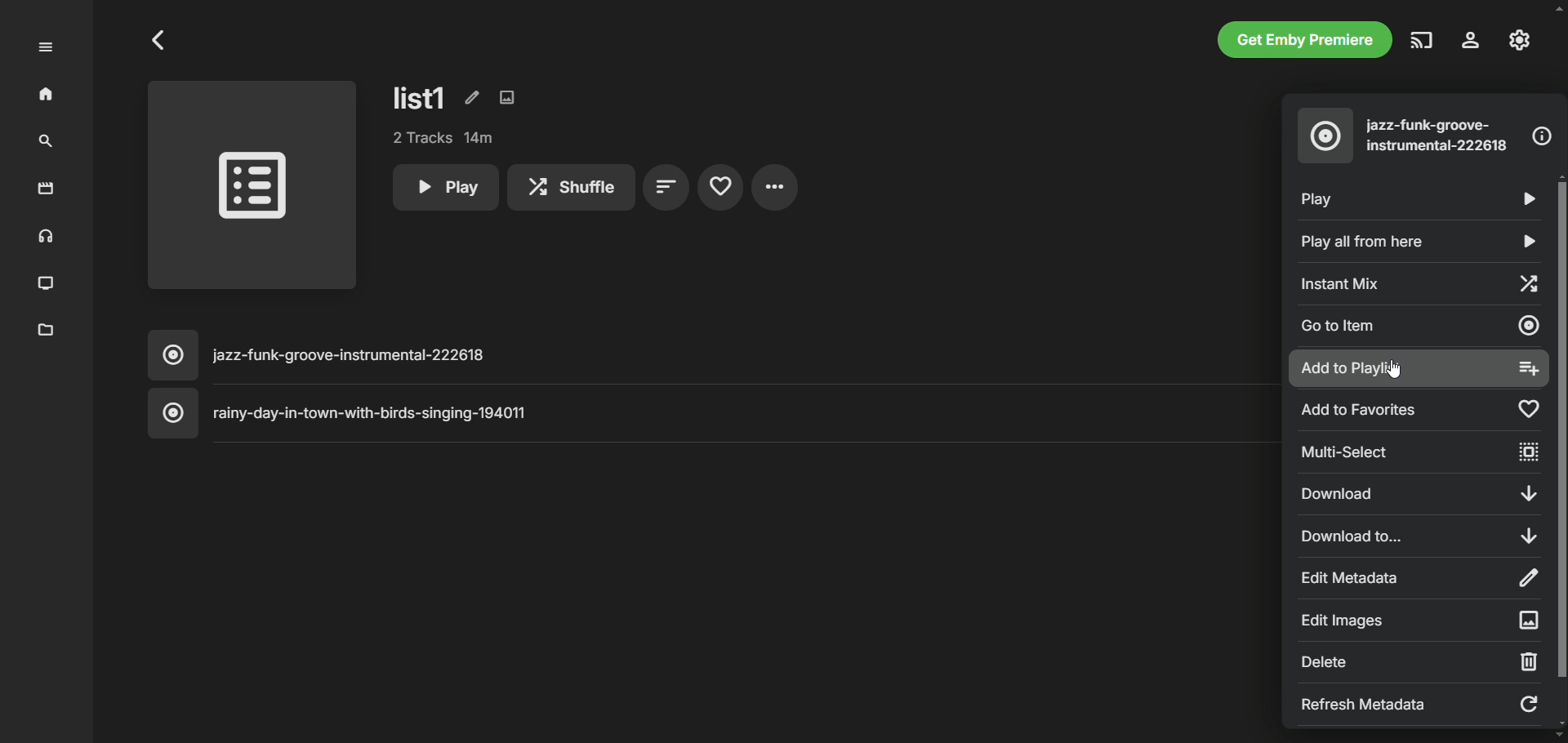 This screenshot has height=743, width=1568. Describe the element at coordinates (571, 187) in the screenshot. I see `shuffle` at that location.